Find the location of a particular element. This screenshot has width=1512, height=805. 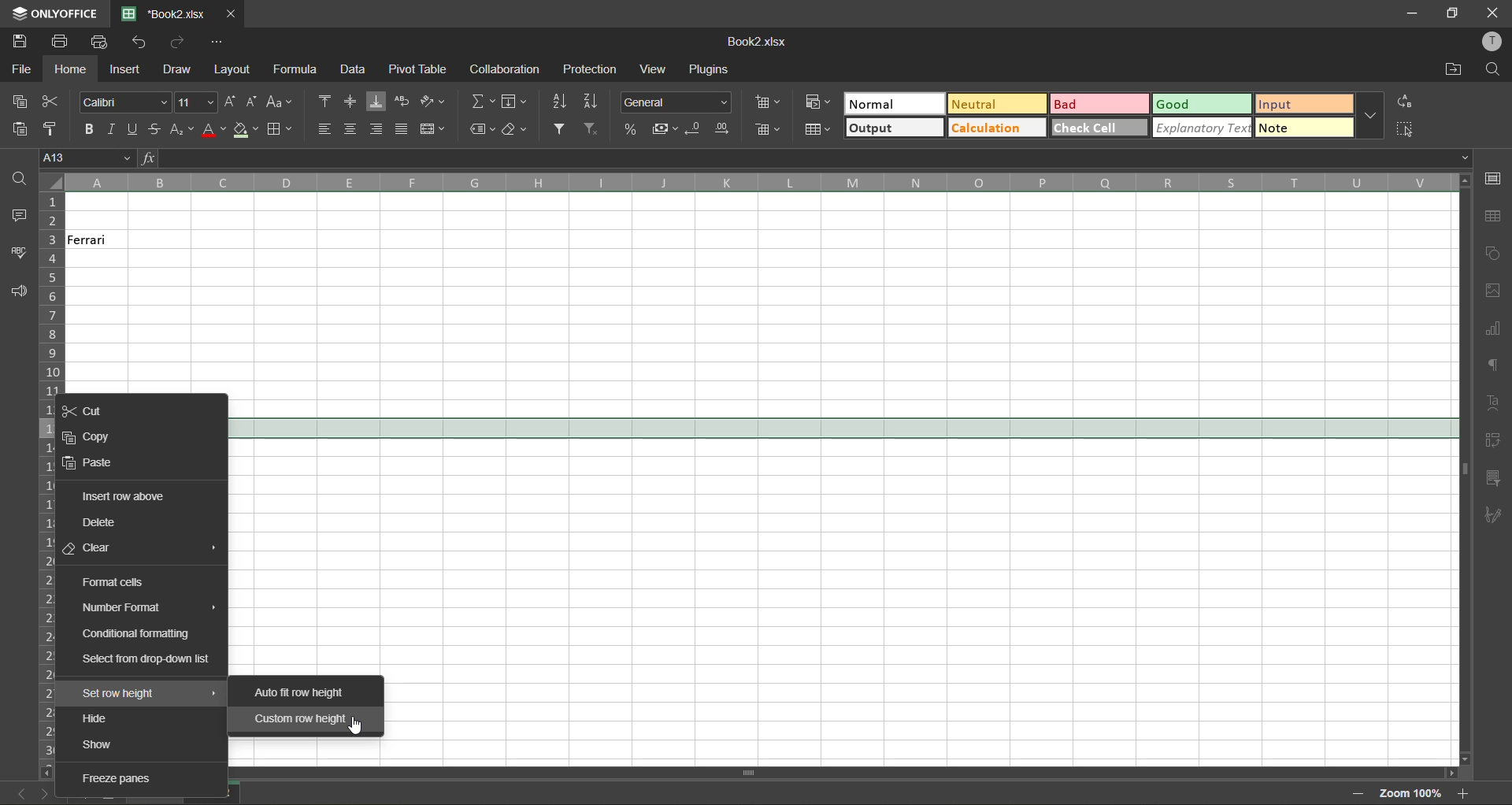

zoom out is located at coordinates (1352, 792).